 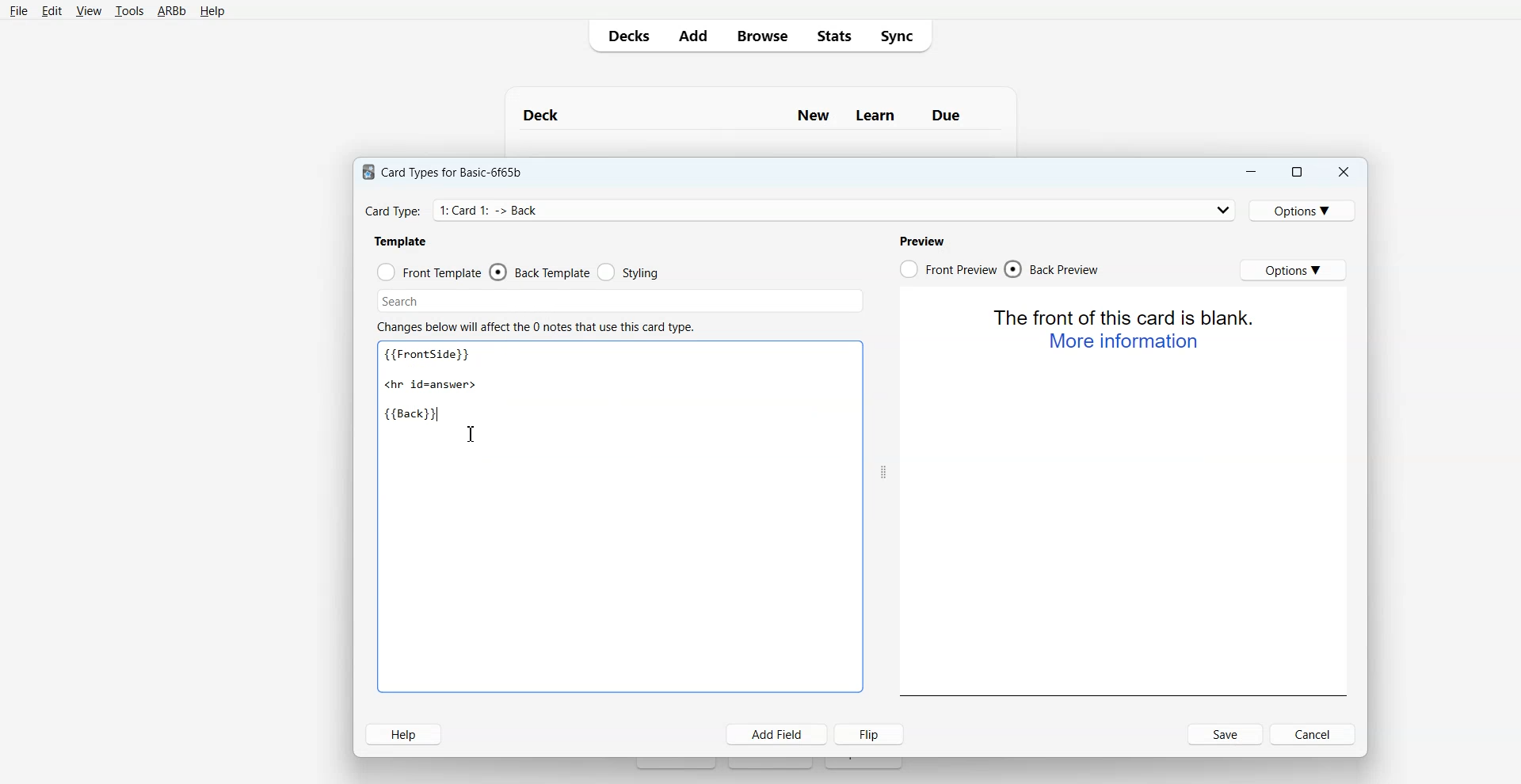 What do you see at coordinates (1294, 270) in the screenshot?
I see `Options` at bounding box center [1294, 270].